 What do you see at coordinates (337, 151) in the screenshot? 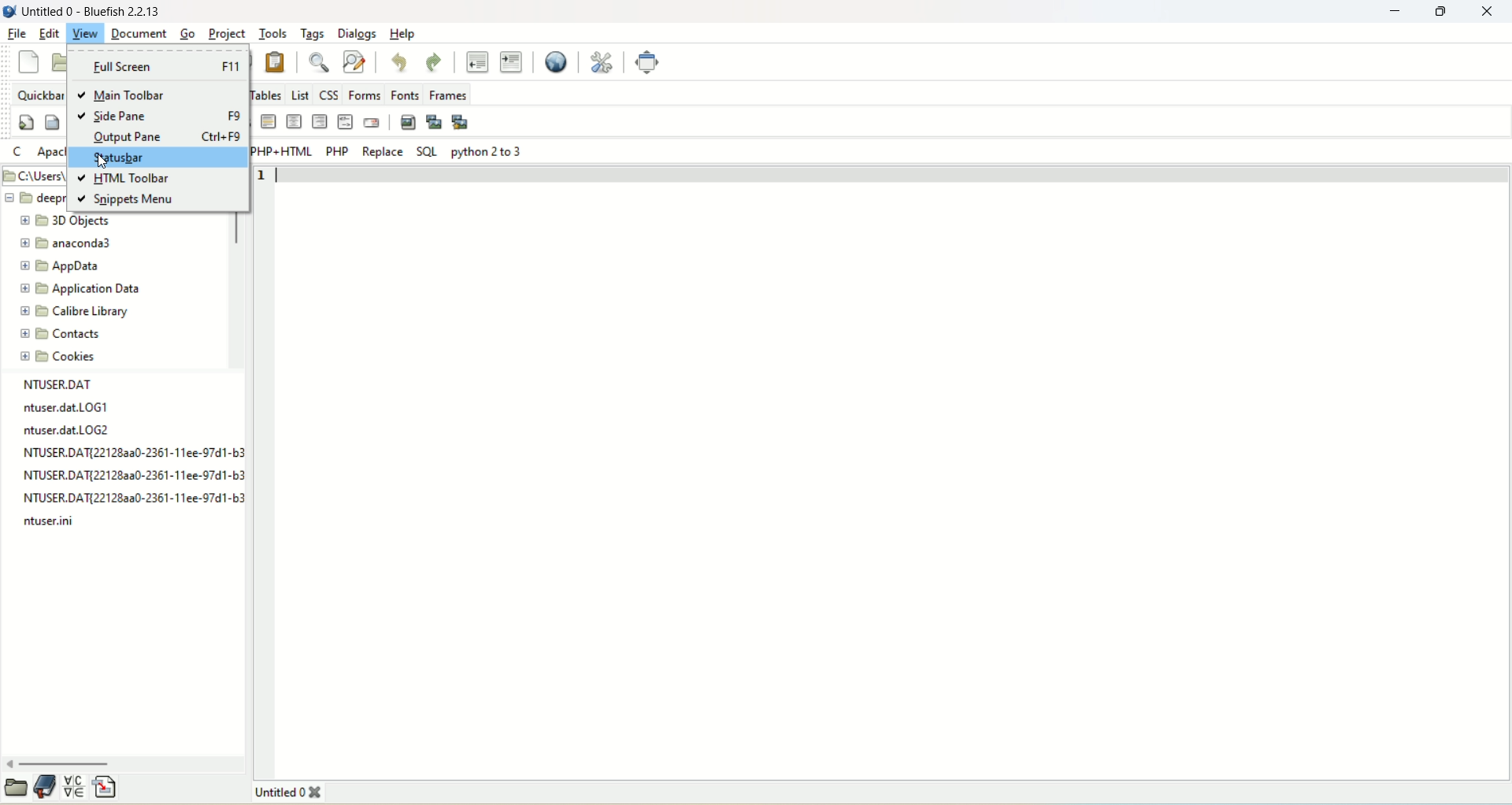
I see `PHP` at bounding box center [337, 151].